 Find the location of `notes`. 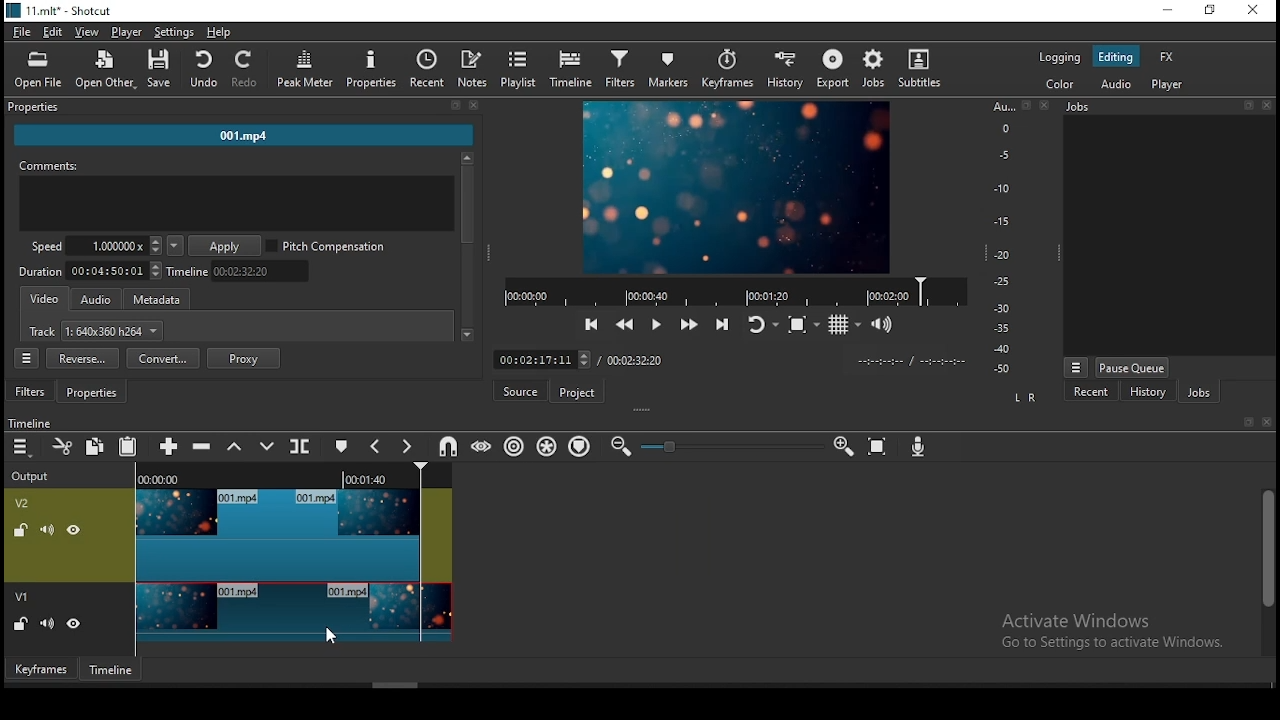

notes is located at coordinates (475, 69).